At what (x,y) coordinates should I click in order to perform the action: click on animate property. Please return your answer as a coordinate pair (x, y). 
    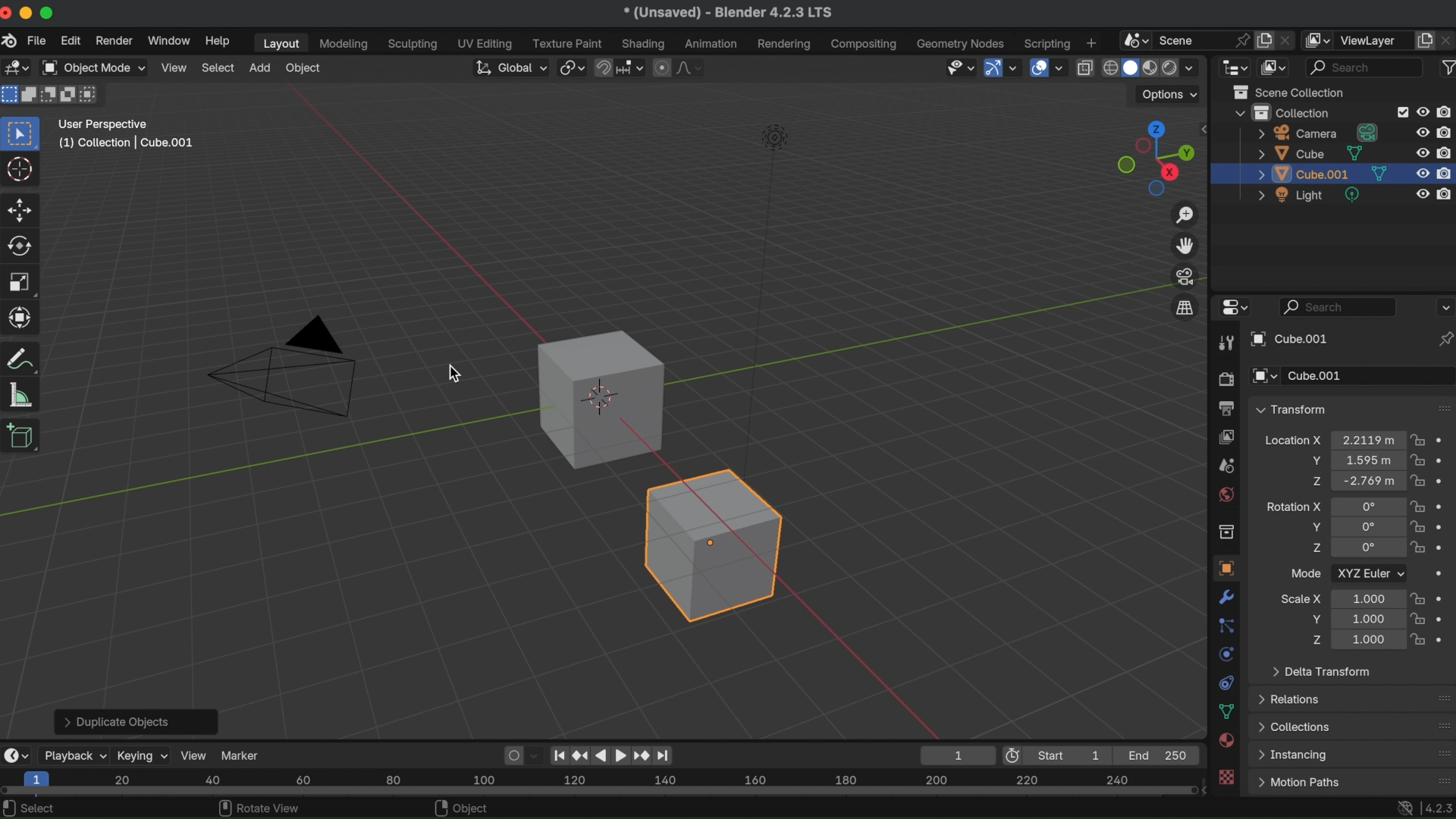
    Looking at the image, I should click on (1446, 548).